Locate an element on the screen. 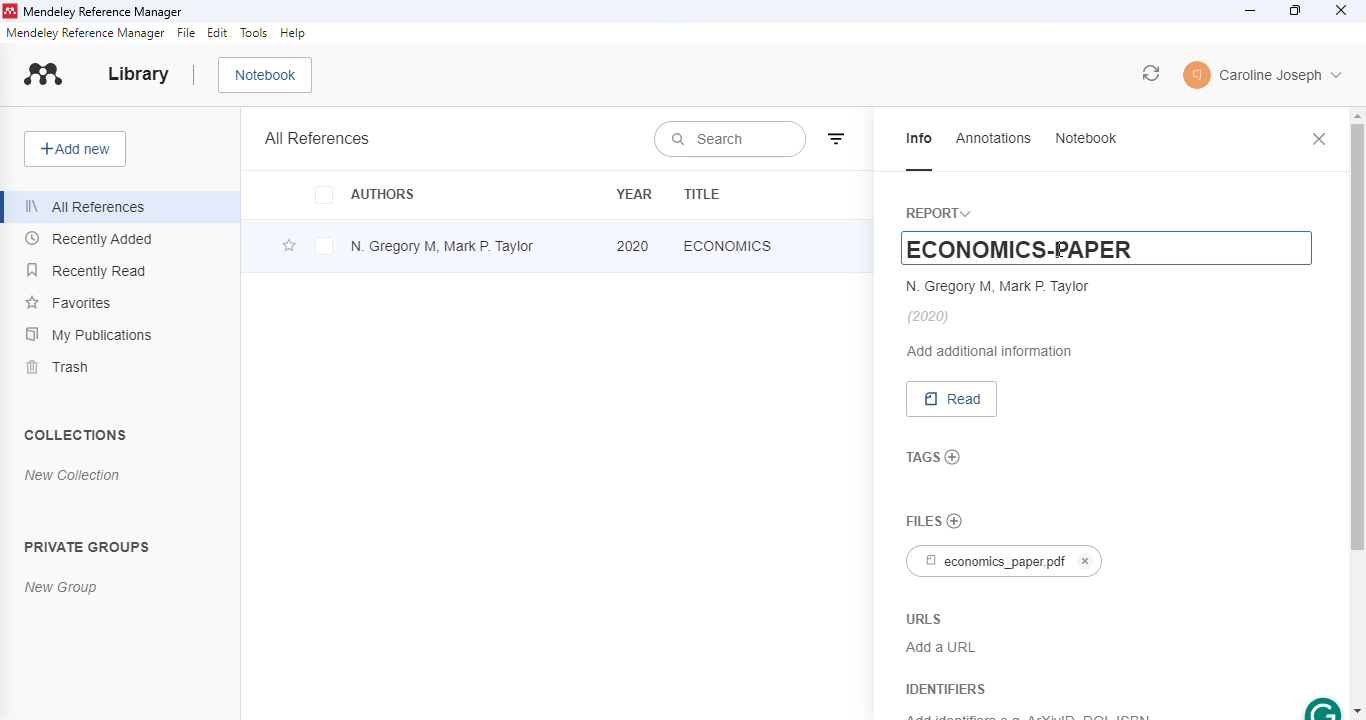 The height and width of the screenshot is (720, 1366). year is located at coordinates (634, 193).